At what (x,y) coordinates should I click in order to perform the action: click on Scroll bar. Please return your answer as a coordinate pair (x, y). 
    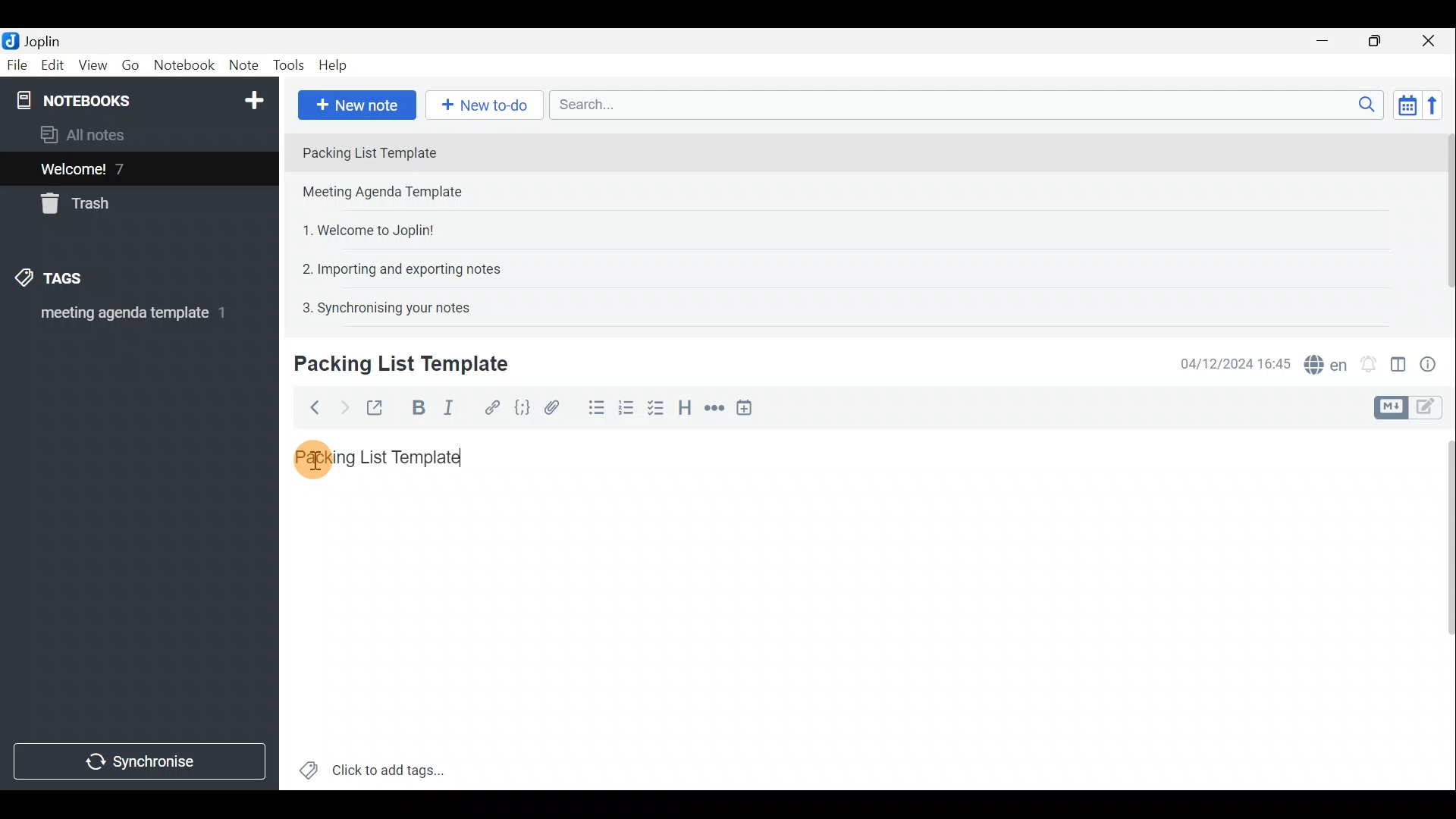
    Looking at the image, I should click on (1442, 221).